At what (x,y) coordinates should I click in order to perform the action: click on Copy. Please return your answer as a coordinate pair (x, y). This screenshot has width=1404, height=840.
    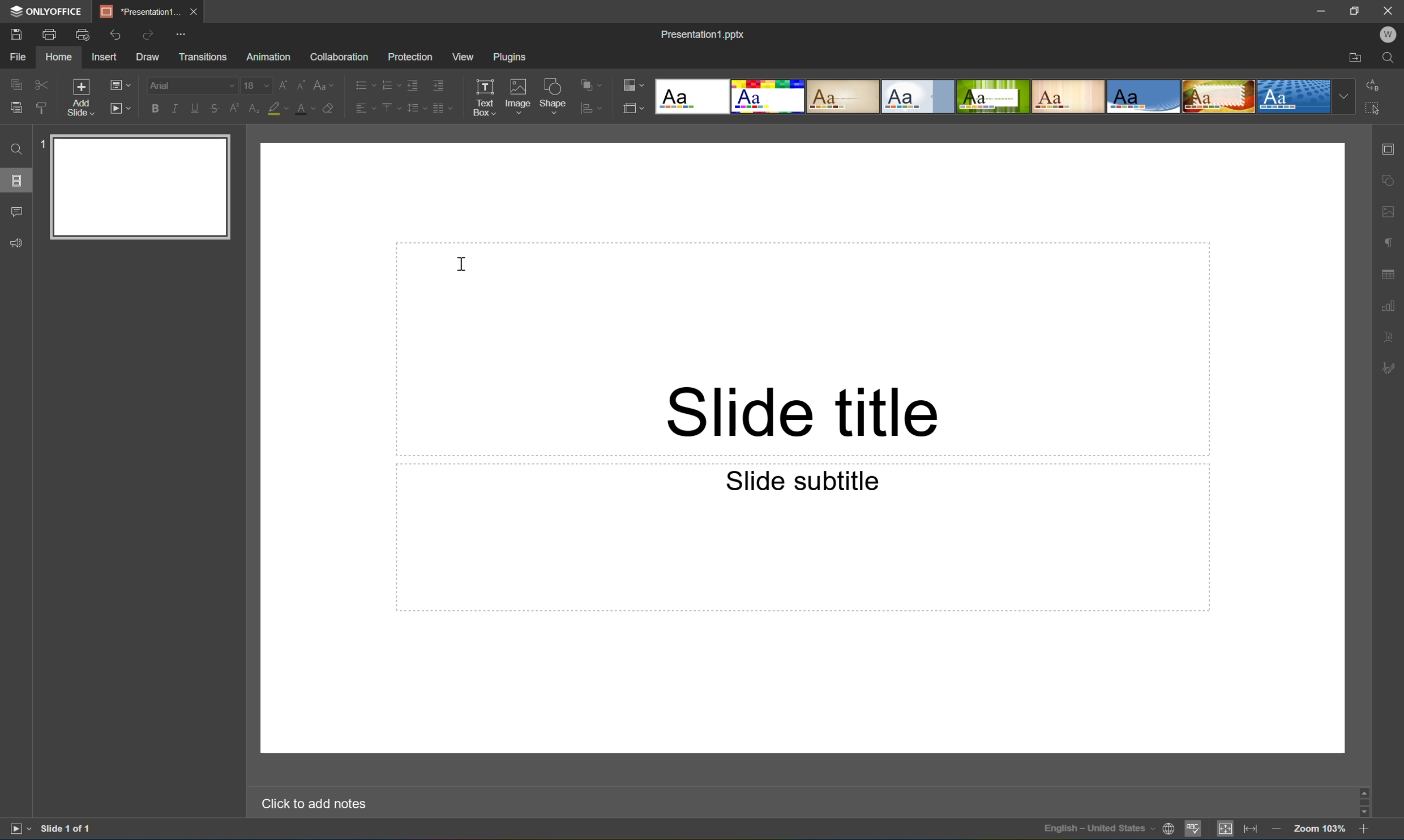
    Looking at the image, I should click on (14, 81).